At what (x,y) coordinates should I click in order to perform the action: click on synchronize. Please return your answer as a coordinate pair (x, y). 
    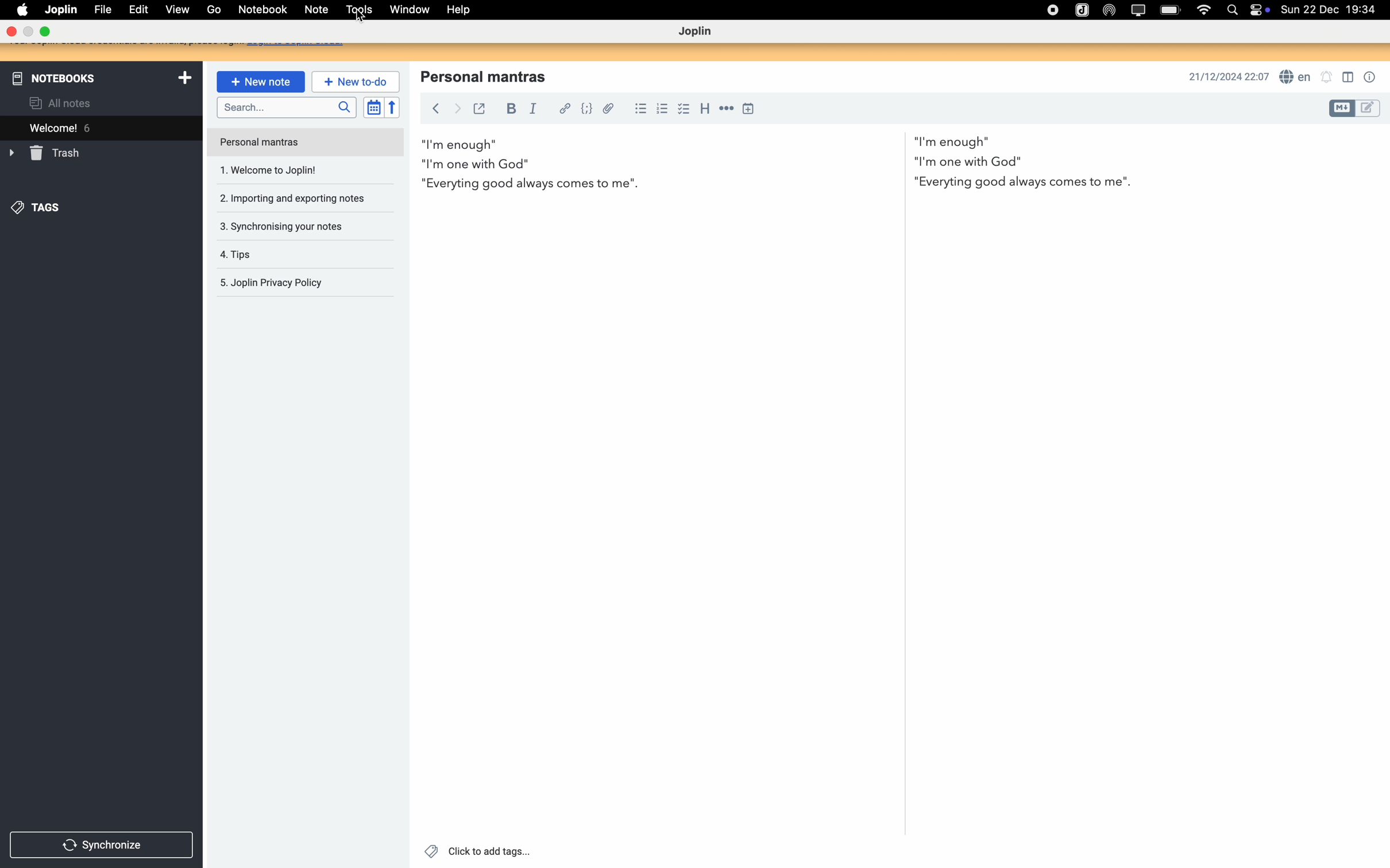
    Looking at the image, I should click on (100, 847).